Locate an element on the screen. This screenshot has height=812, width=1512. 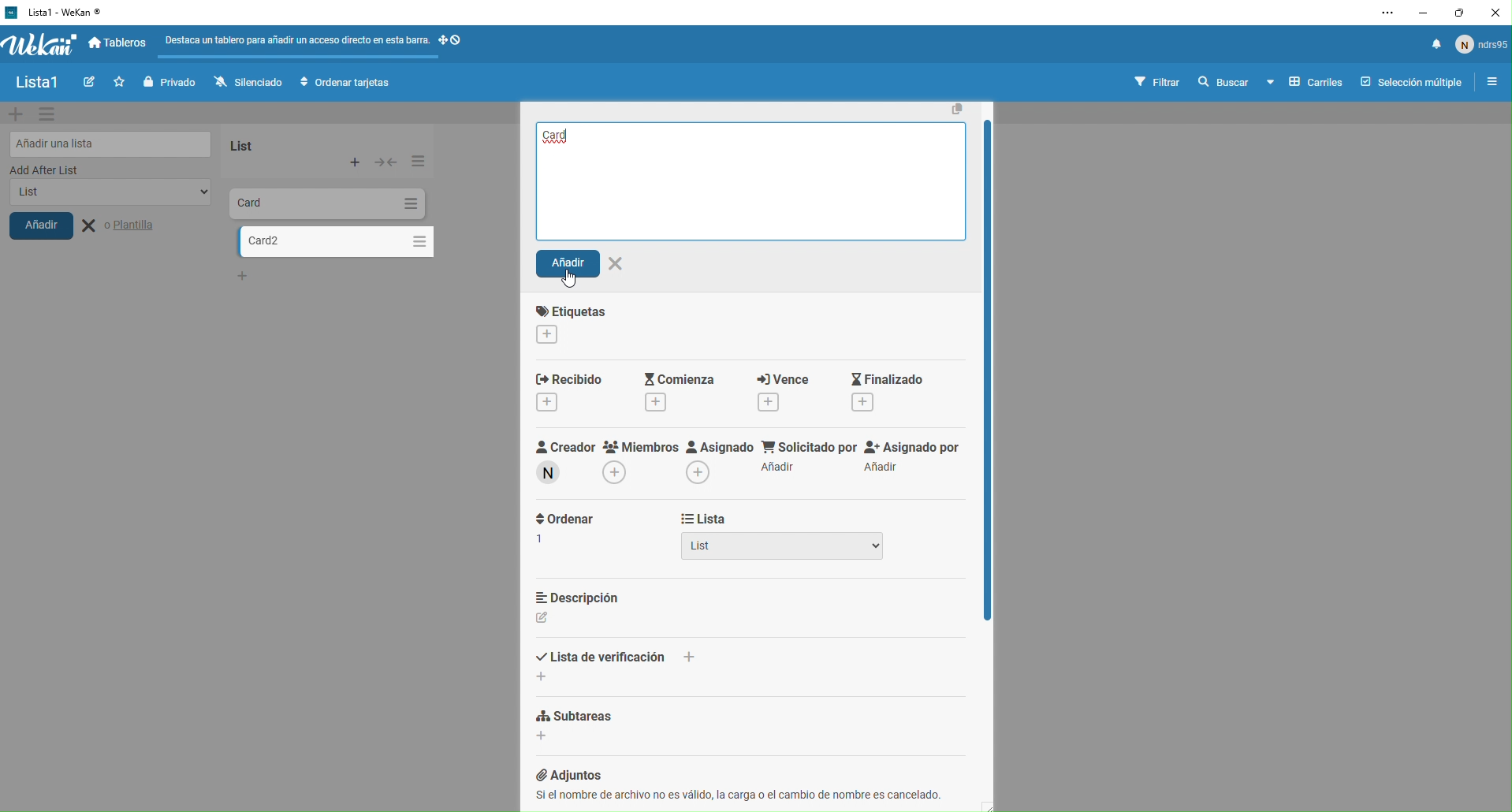
Anadir is located at coordinates (587, 266).